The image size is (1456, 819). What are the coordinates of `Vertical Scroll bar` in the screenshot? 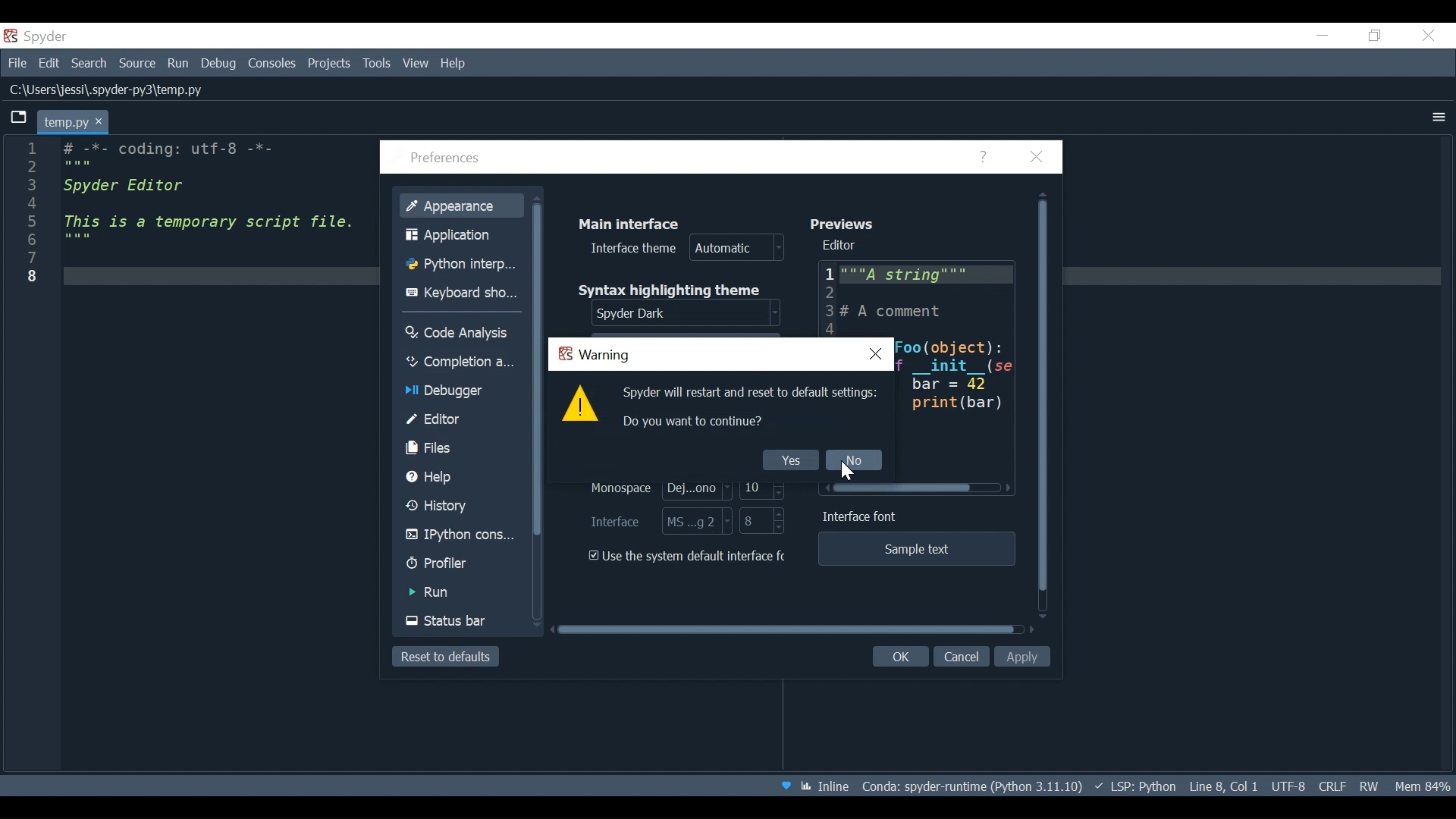 It's located at (540, 371).